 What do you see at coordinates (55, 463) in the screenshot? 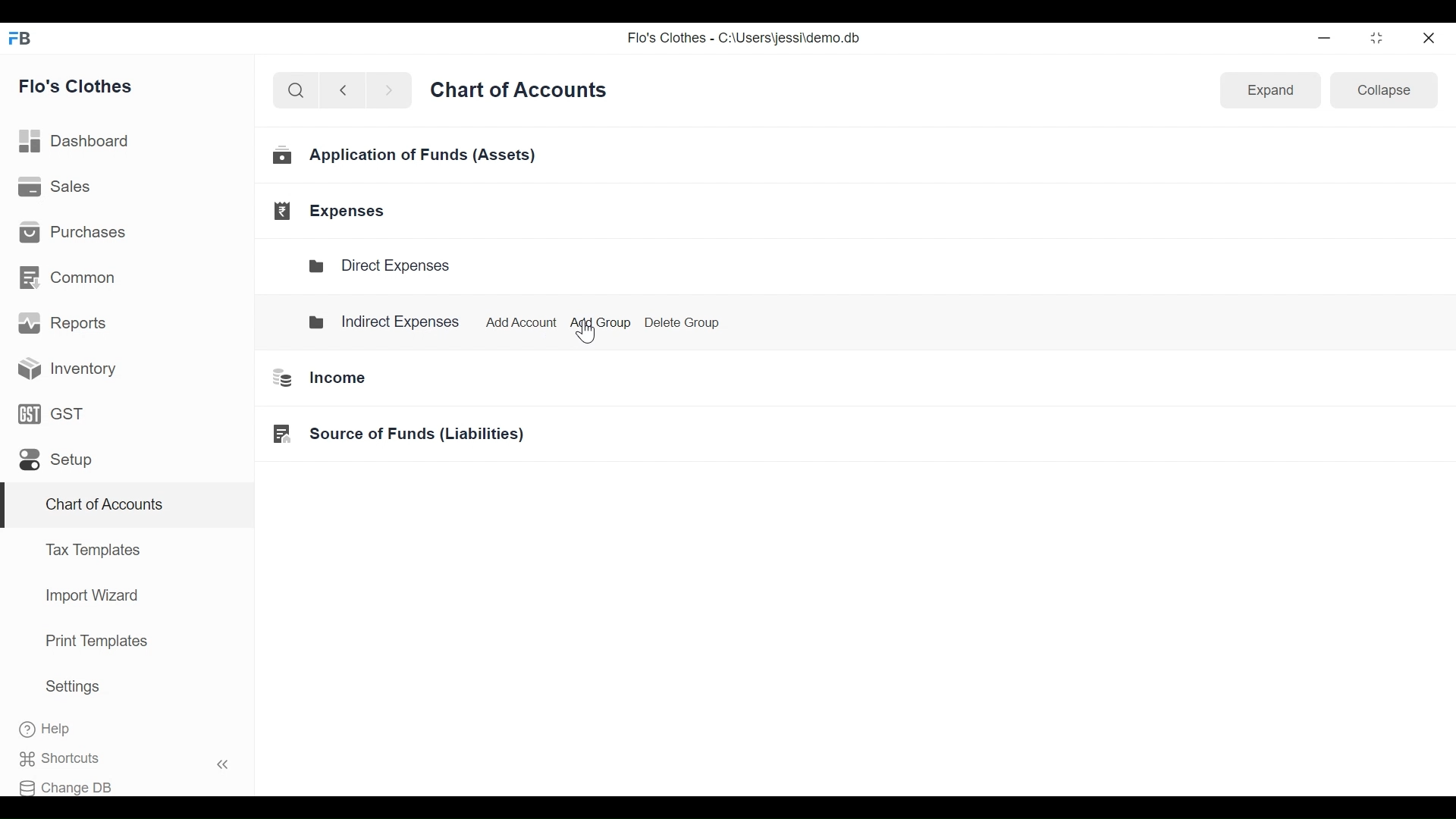
I see `Setup` at bounding box center [55, 463].